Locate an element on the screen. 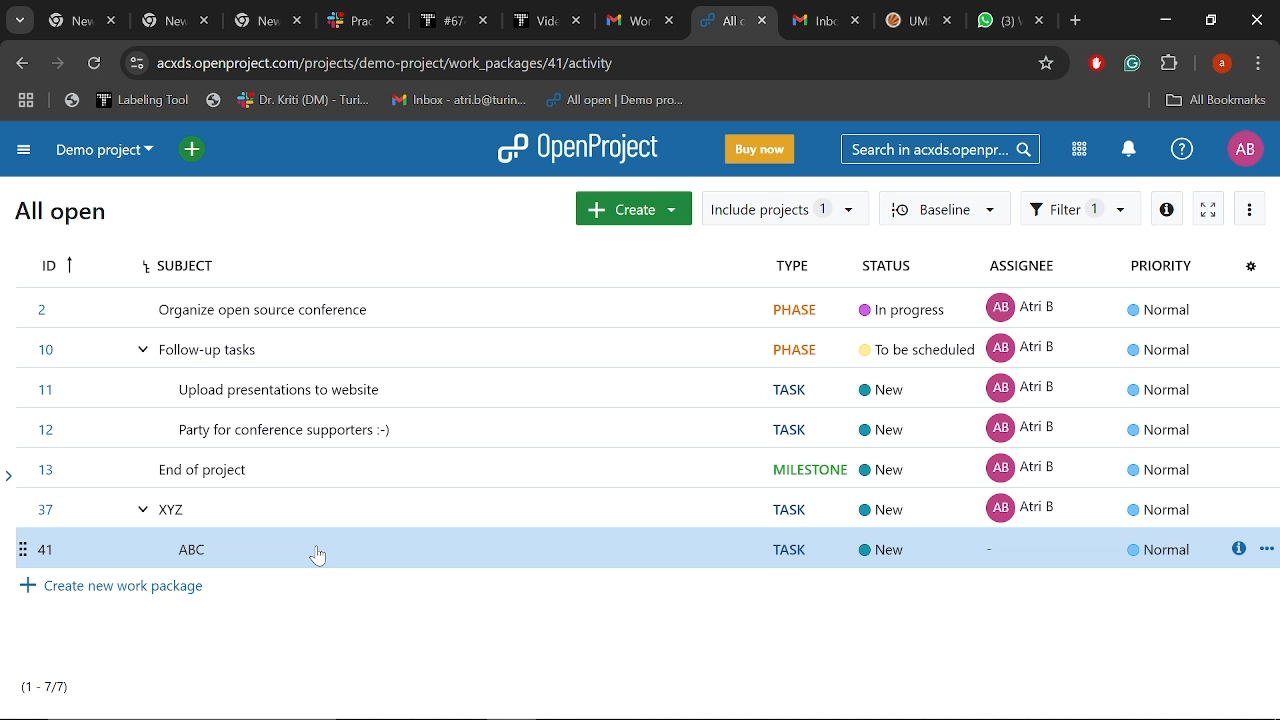 Image resolution: width=1280 pixels, height=720 pixels. Customize and control chorme is located at coordinates (1258, 66).